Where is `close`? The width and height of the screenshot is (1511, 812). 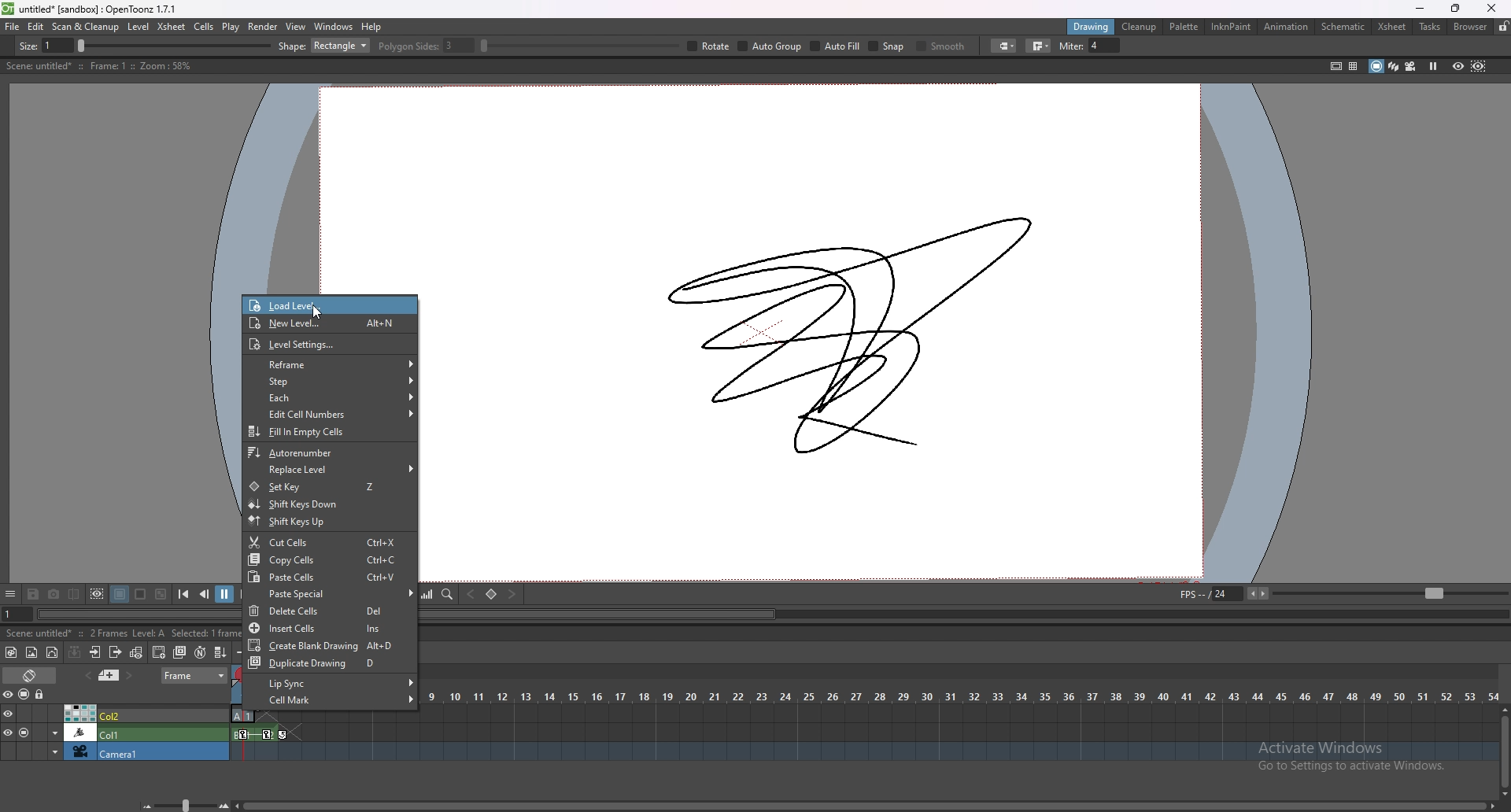 close is located at coordinates (1489, 8).